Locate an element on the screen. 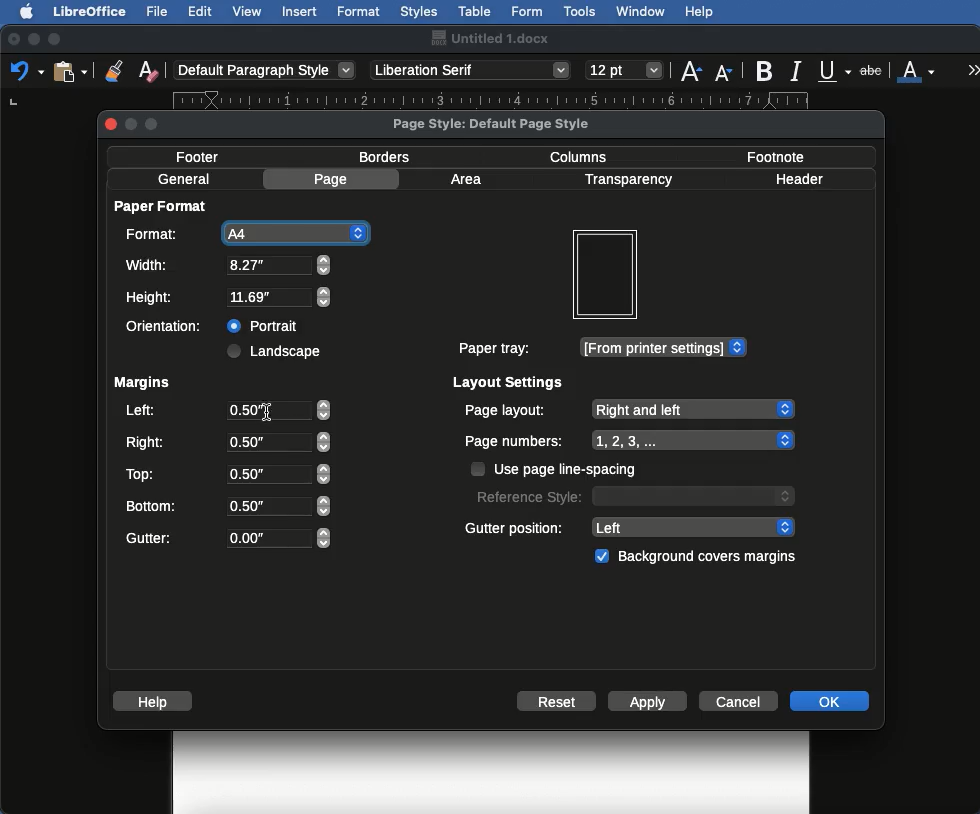 This screenshot has height=814, width=980. Bottom is located at coordinates (227, 504).